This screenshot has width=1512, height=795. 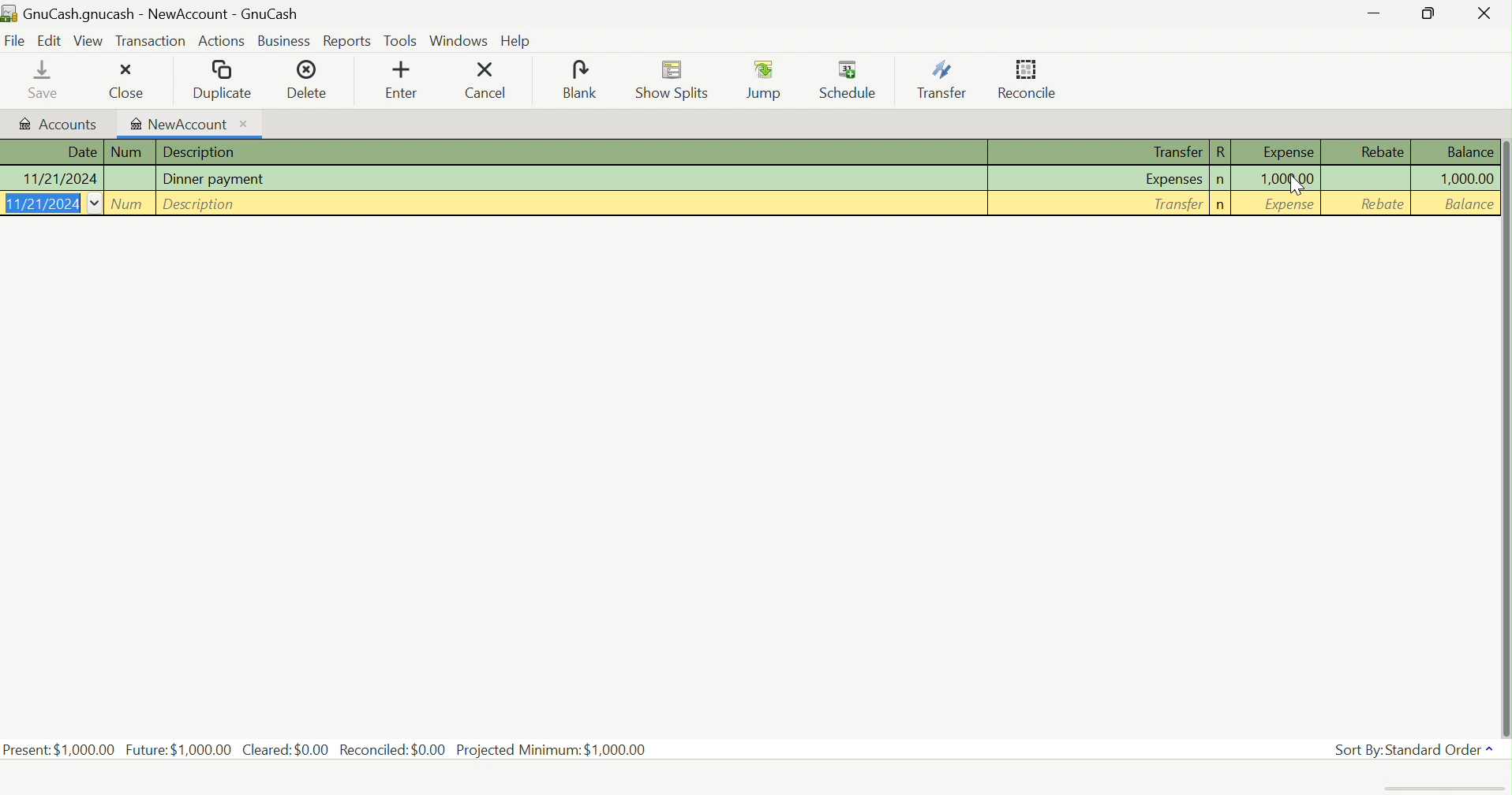 What do you see at coordinates (202, 151) in the screenshot?
I see `Description` at bounding box center [202, 151].